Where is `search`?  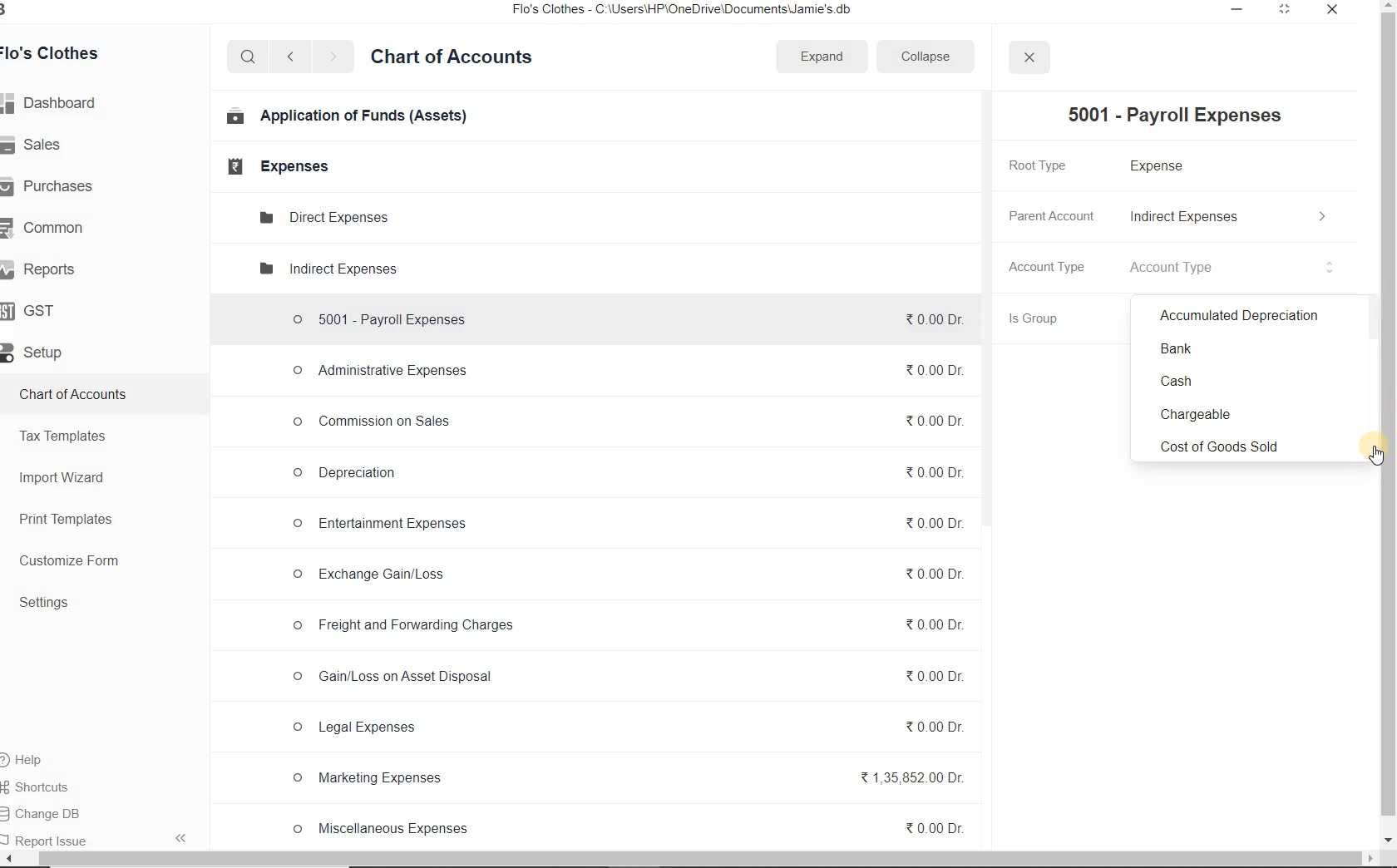 search is located at coordinates (248, 57).